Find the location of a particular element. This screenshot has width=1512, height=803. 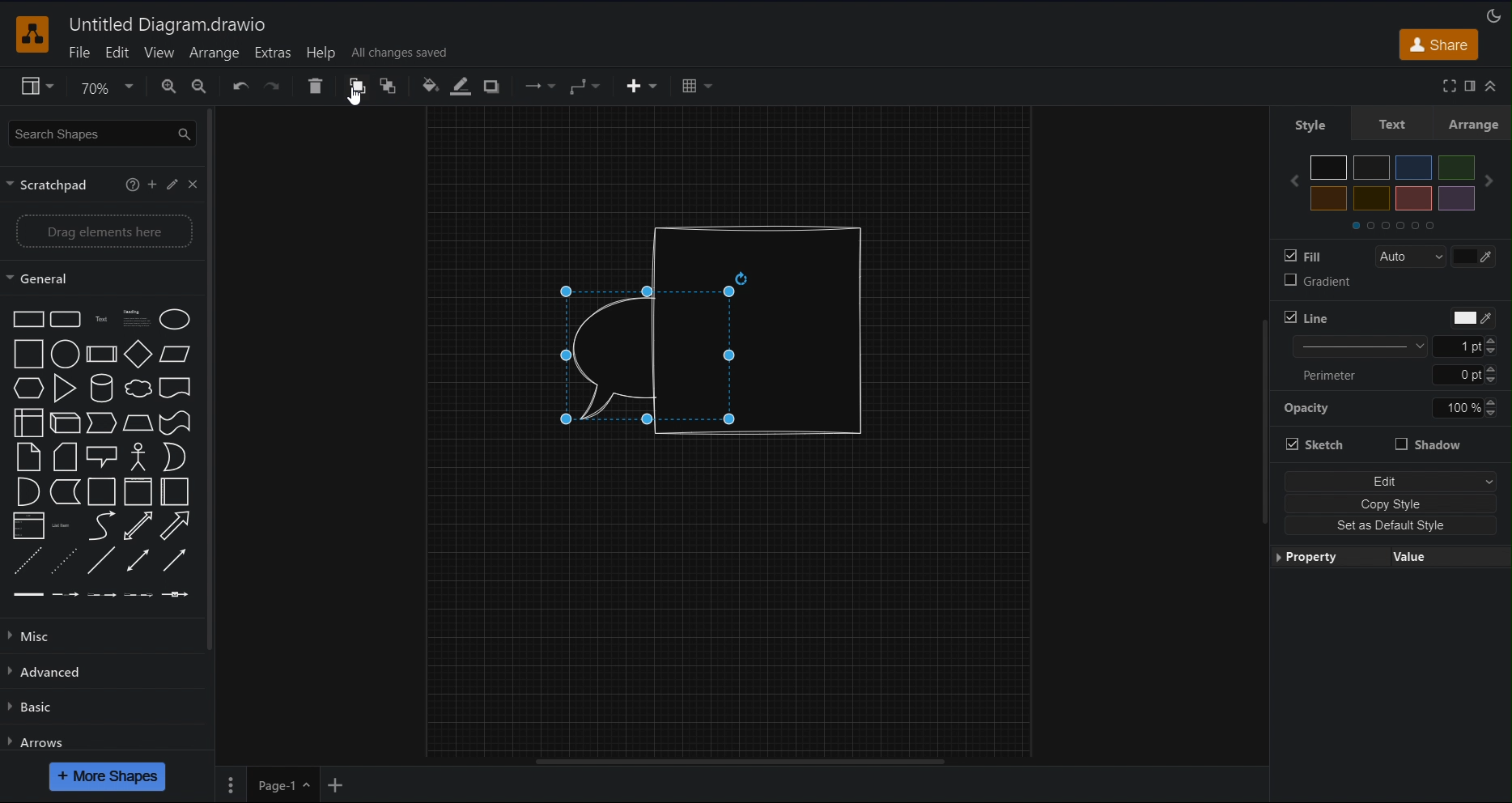

Next color set is located at coordinates (1489, 181).